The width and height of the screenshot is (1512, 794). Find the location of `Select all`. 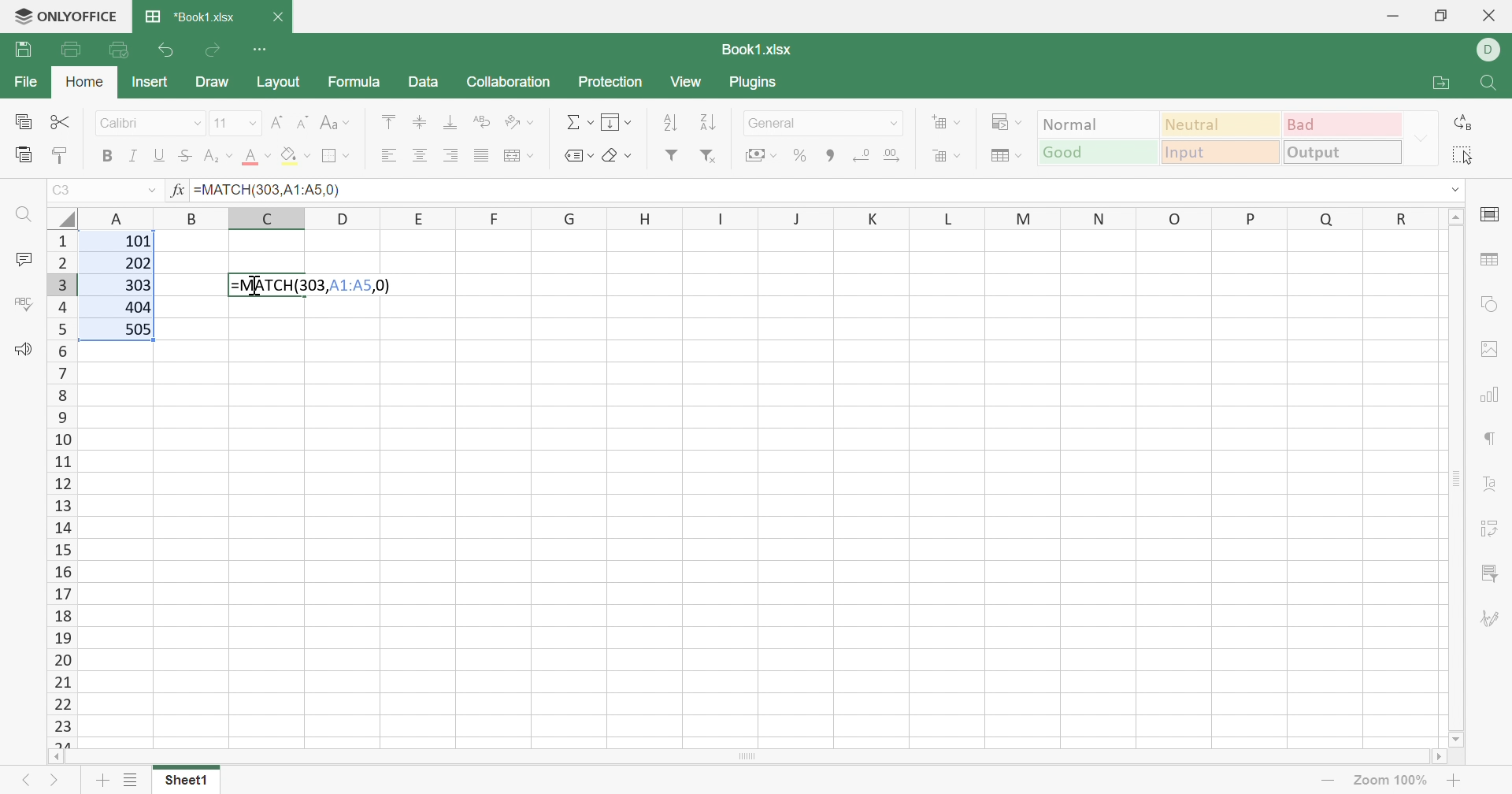

Select all is located at coordinates (1466, 155).